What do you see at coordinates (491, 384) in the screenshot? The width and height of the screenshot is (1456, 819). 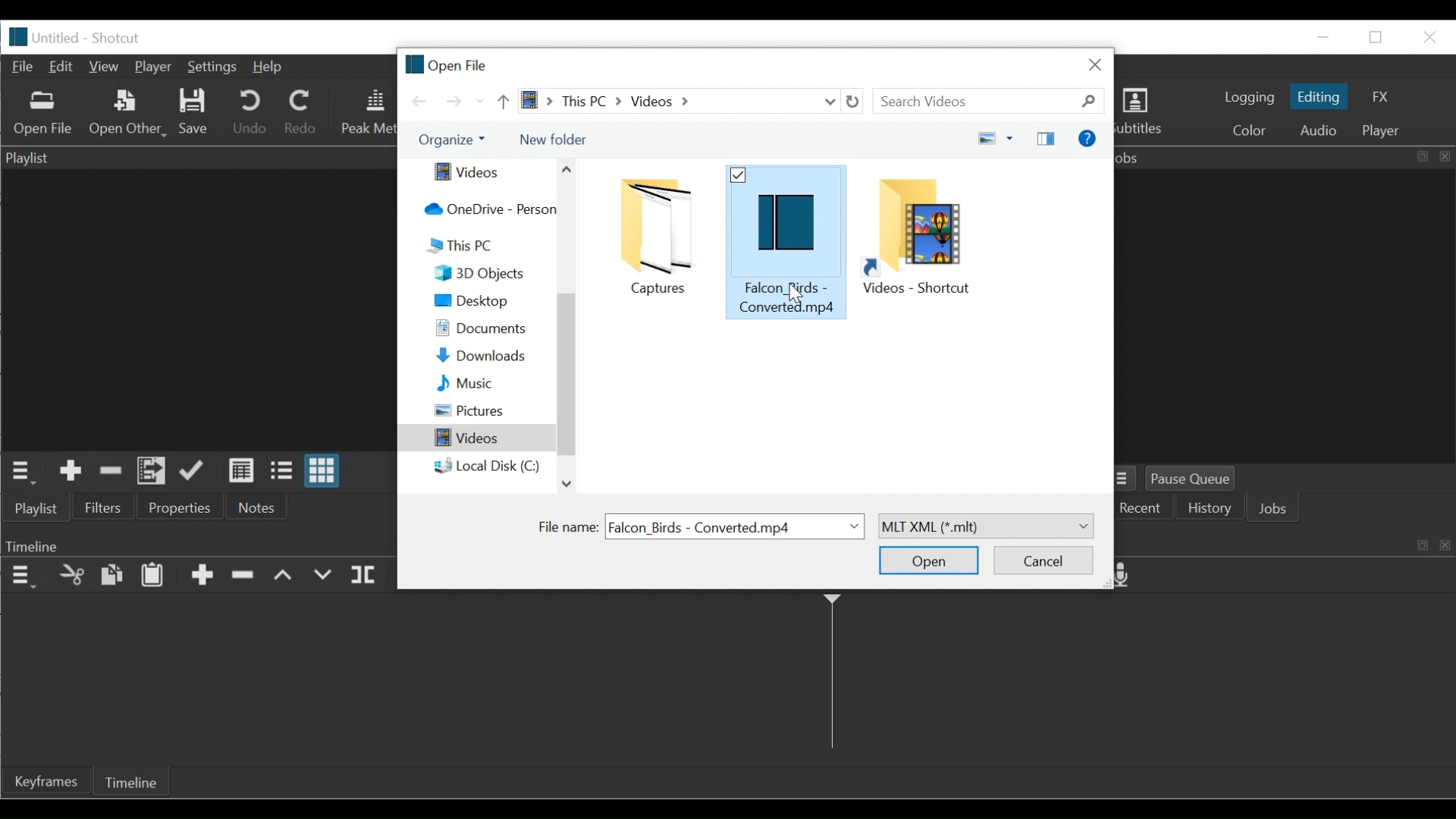 I see `Music` at bounding box center [491, 384].